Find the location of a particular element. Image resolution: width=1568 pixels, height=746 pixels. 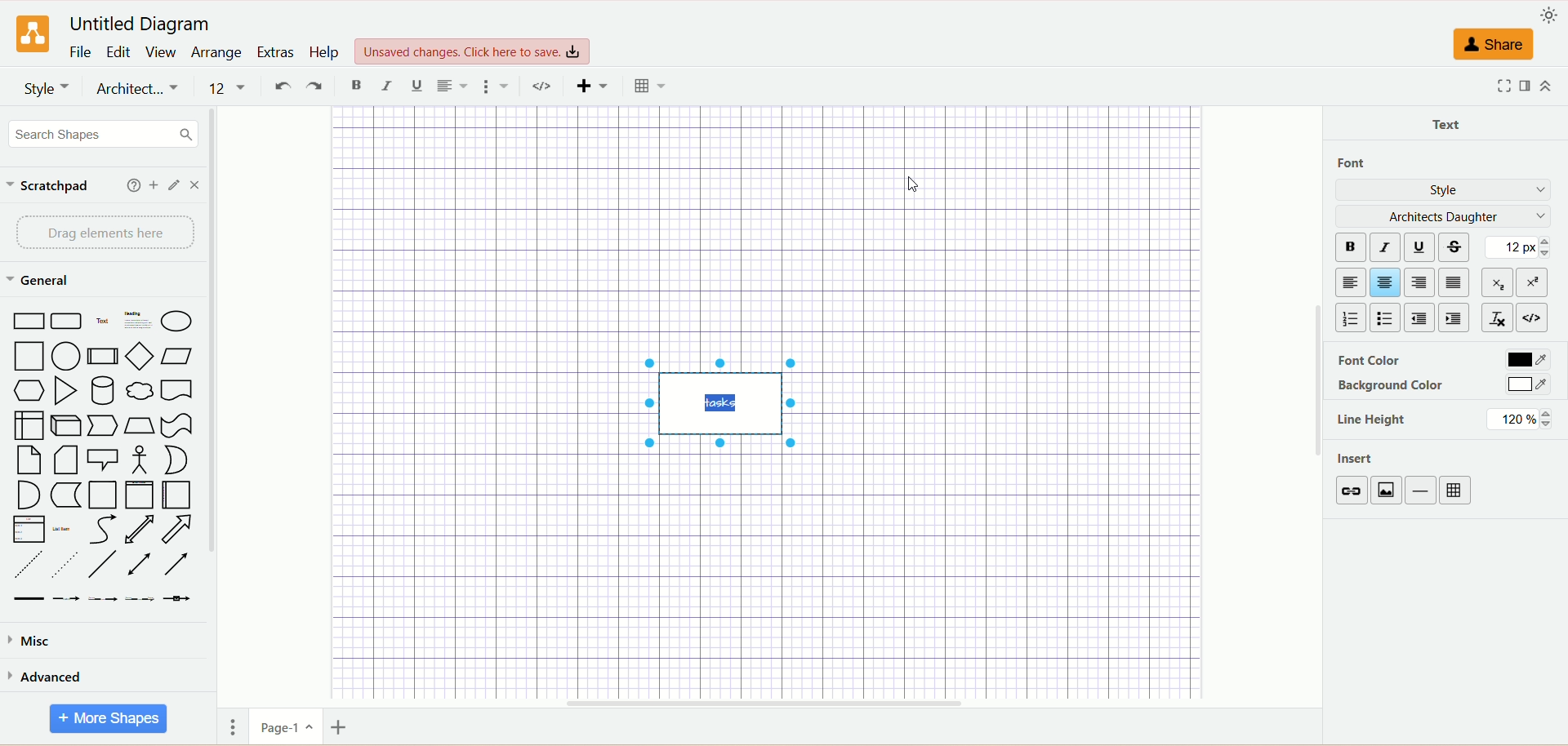

Thought Bubble is located at coordinates (141, 393).